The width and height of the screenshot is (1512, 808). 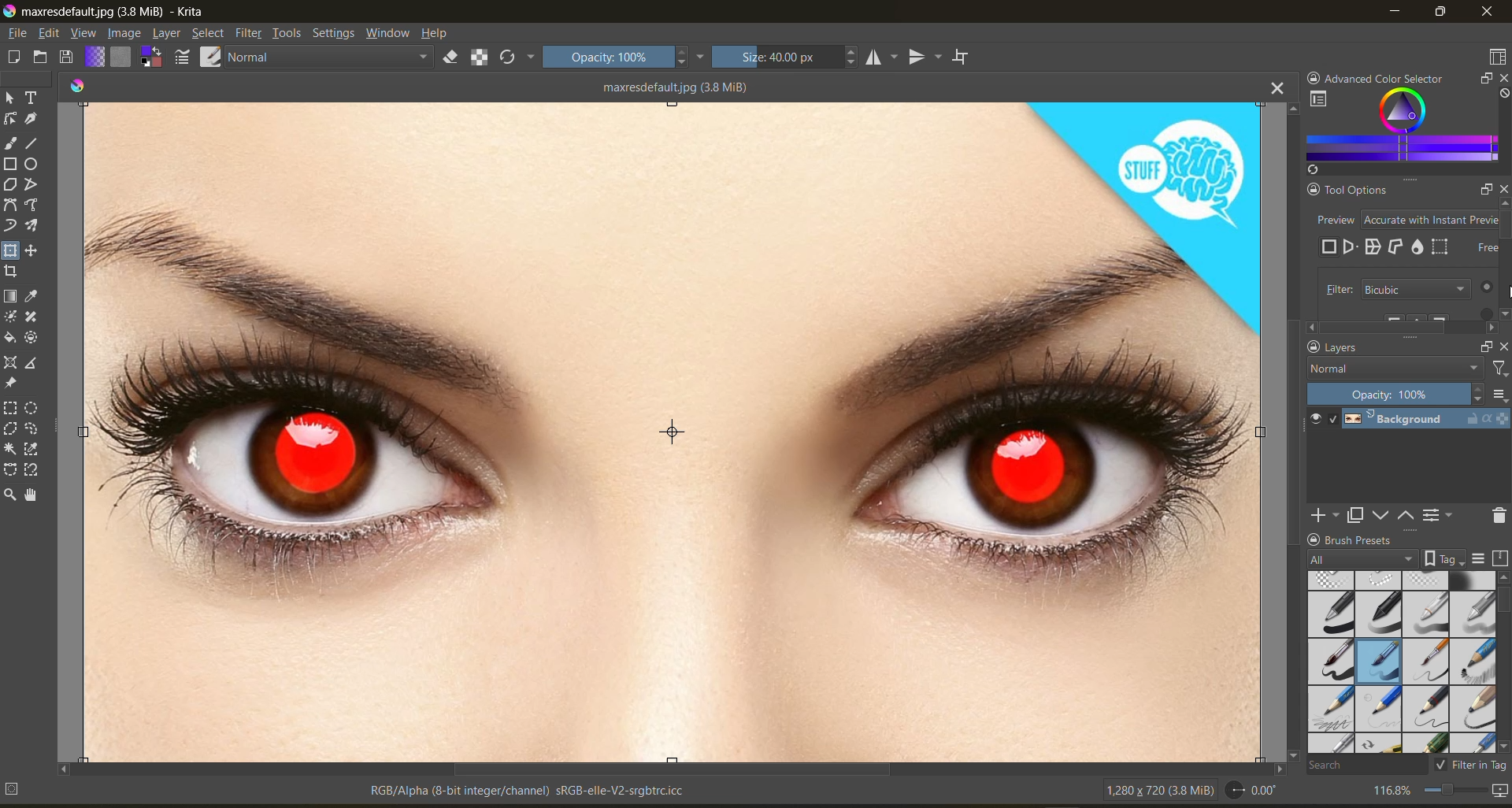 What do you see at coordinates (1424, 422) in the screenshot?
I see `layer` at bounding box center [1424, 422].